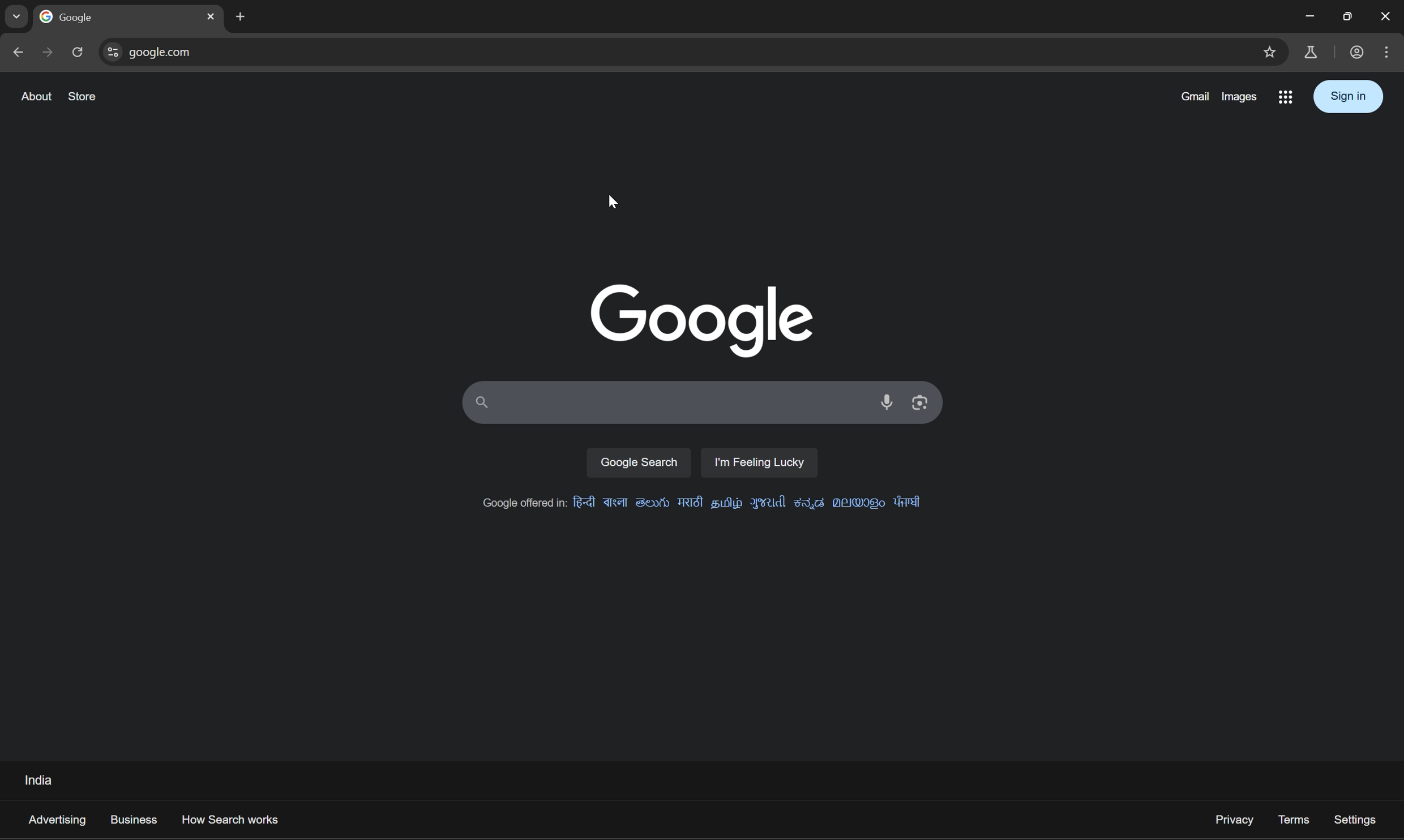  What do you see at coordinates (1356, 51) in the screenshot?
I see `work` at bounding box center [1356, 51].